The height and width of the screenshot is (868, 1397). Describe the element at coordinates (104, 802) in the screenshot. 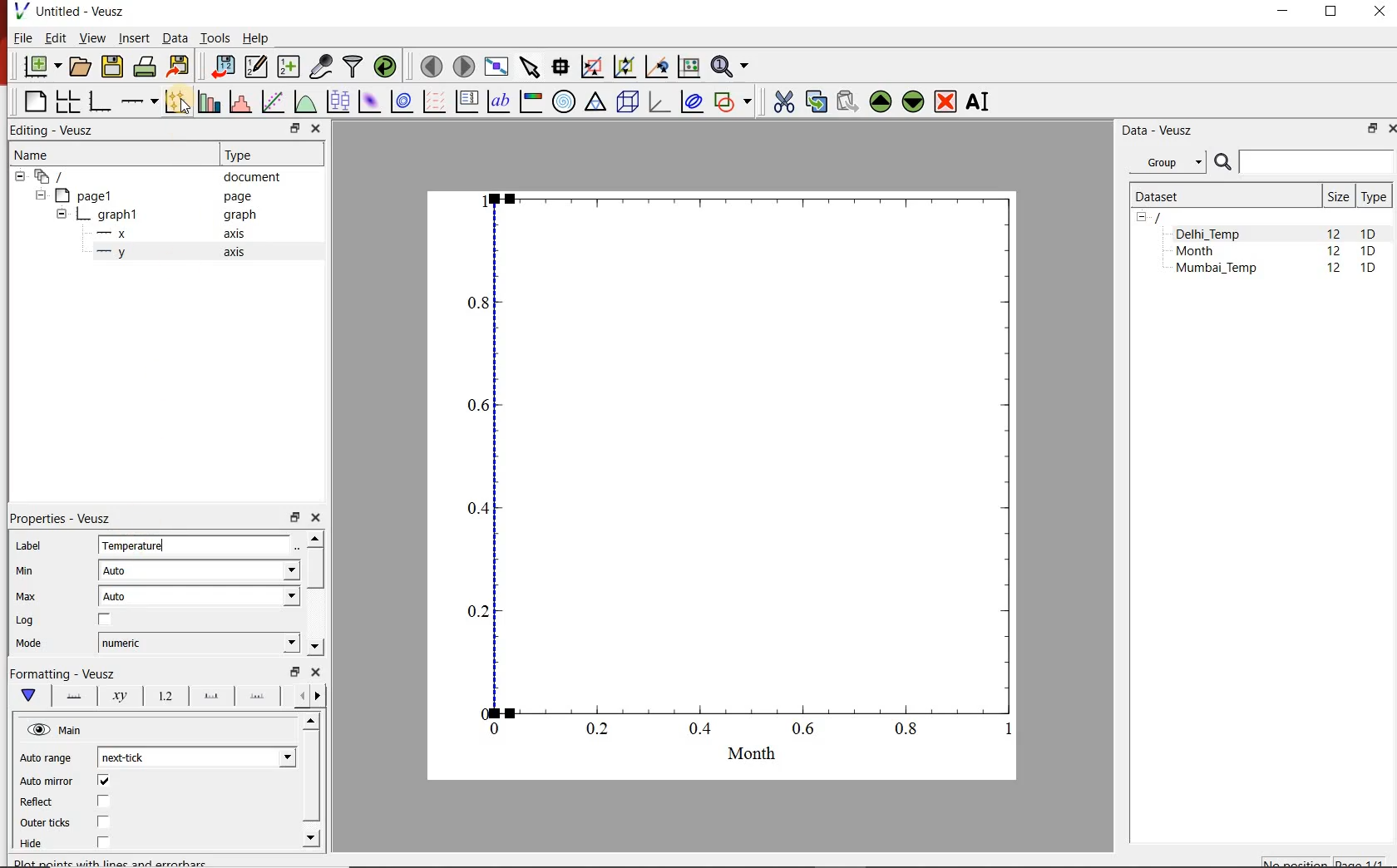

I see `check/uncheck` at that location.